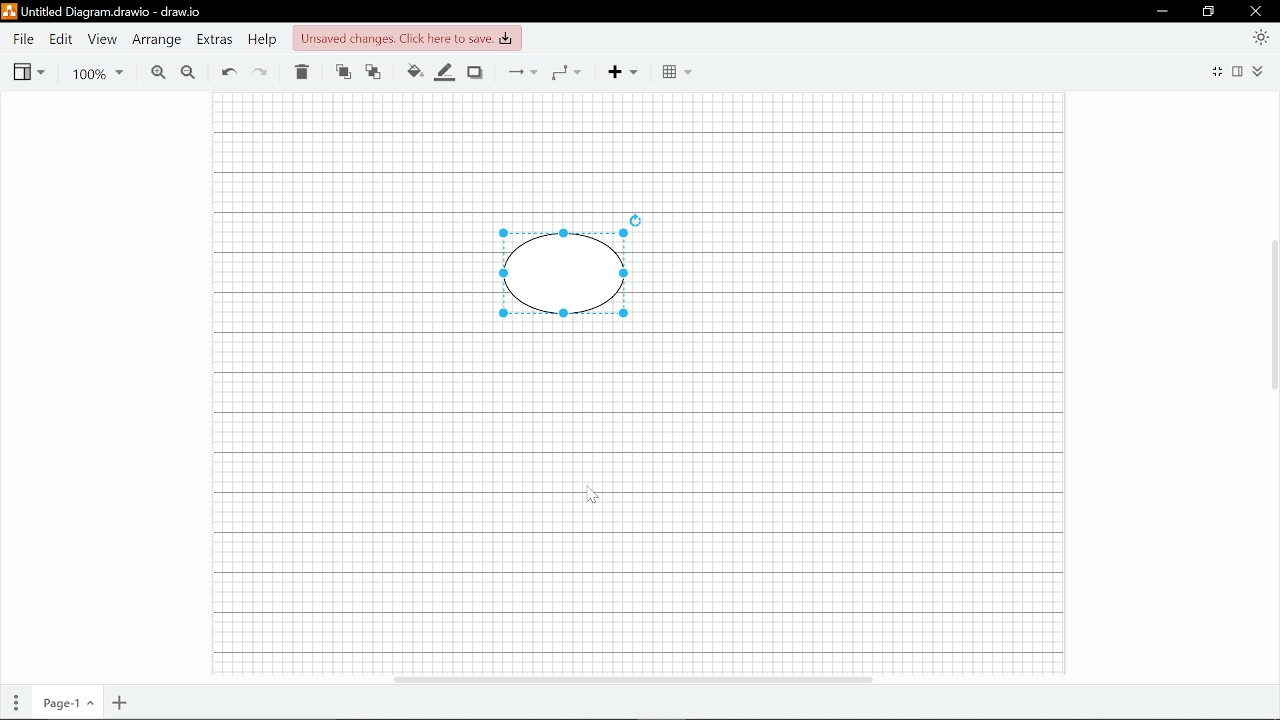 This screenshot has width=1280, height=720. Describe the element at coordinates (69, 704) in the screenshot. I see `Current page` at that location.